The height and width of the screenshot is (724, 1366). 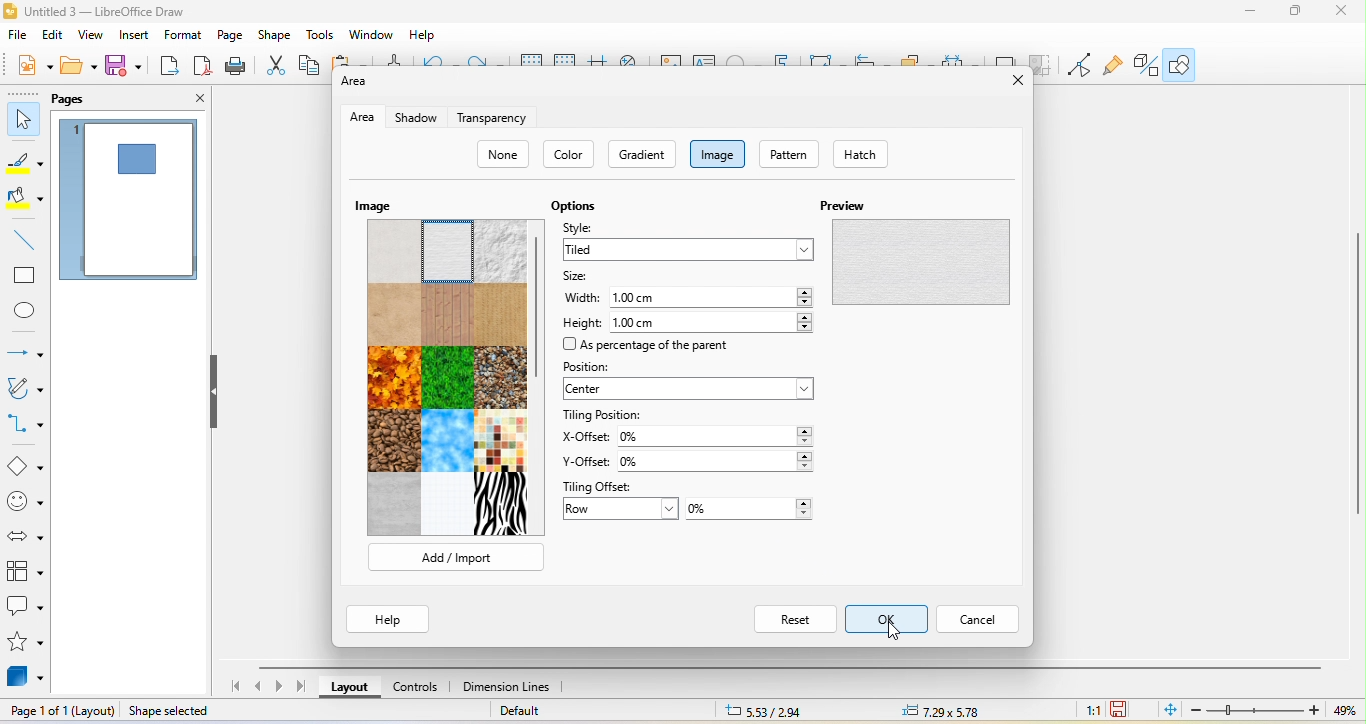 I want to click on image, so click(x=722, y=156).